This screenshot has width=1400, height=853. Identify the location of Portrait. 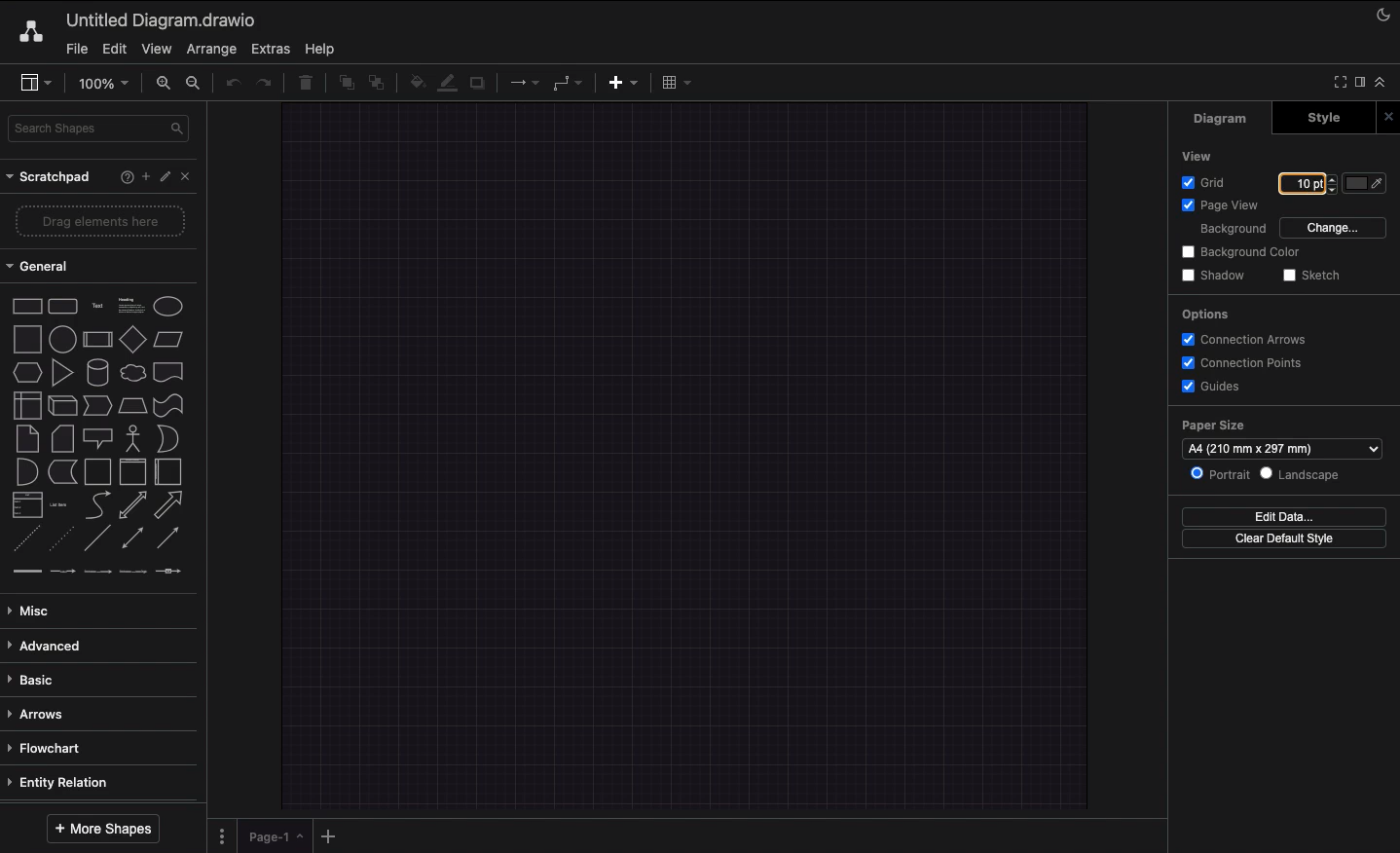
(1222, 475).